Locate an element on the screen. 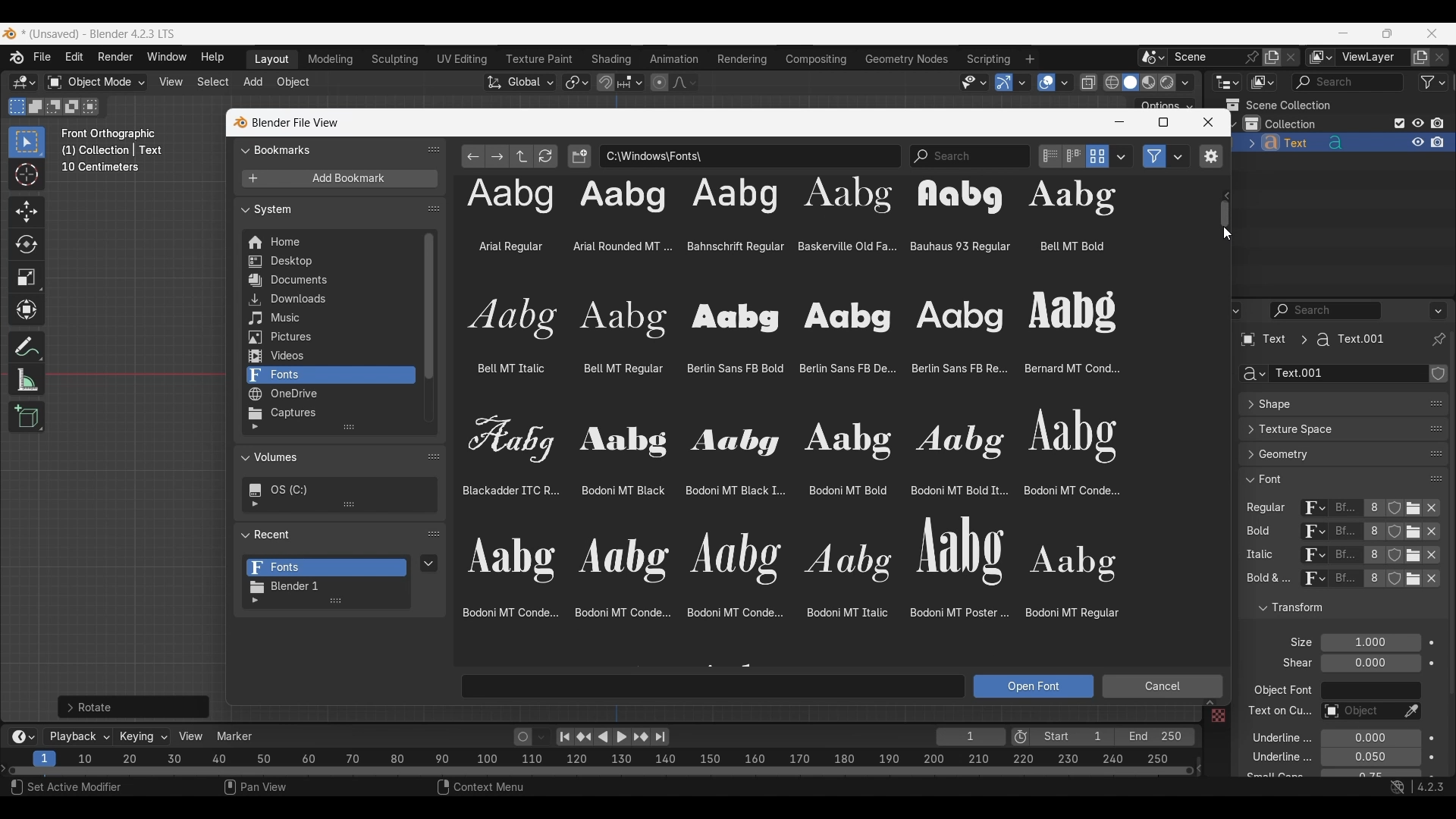 The width and height of the screenshot is (1456, 819). Browse ID data to be linked for respective attribute is located at coordinates (1314, 509).